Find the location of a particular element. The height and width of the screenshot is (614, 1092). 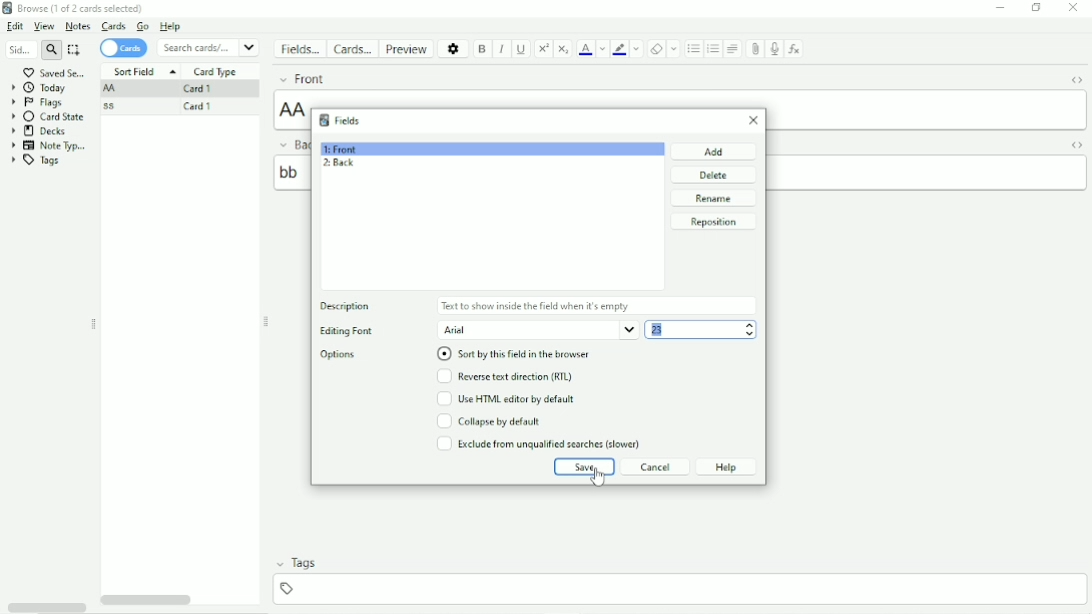

Decrease size is located at coordinates (749, 334).